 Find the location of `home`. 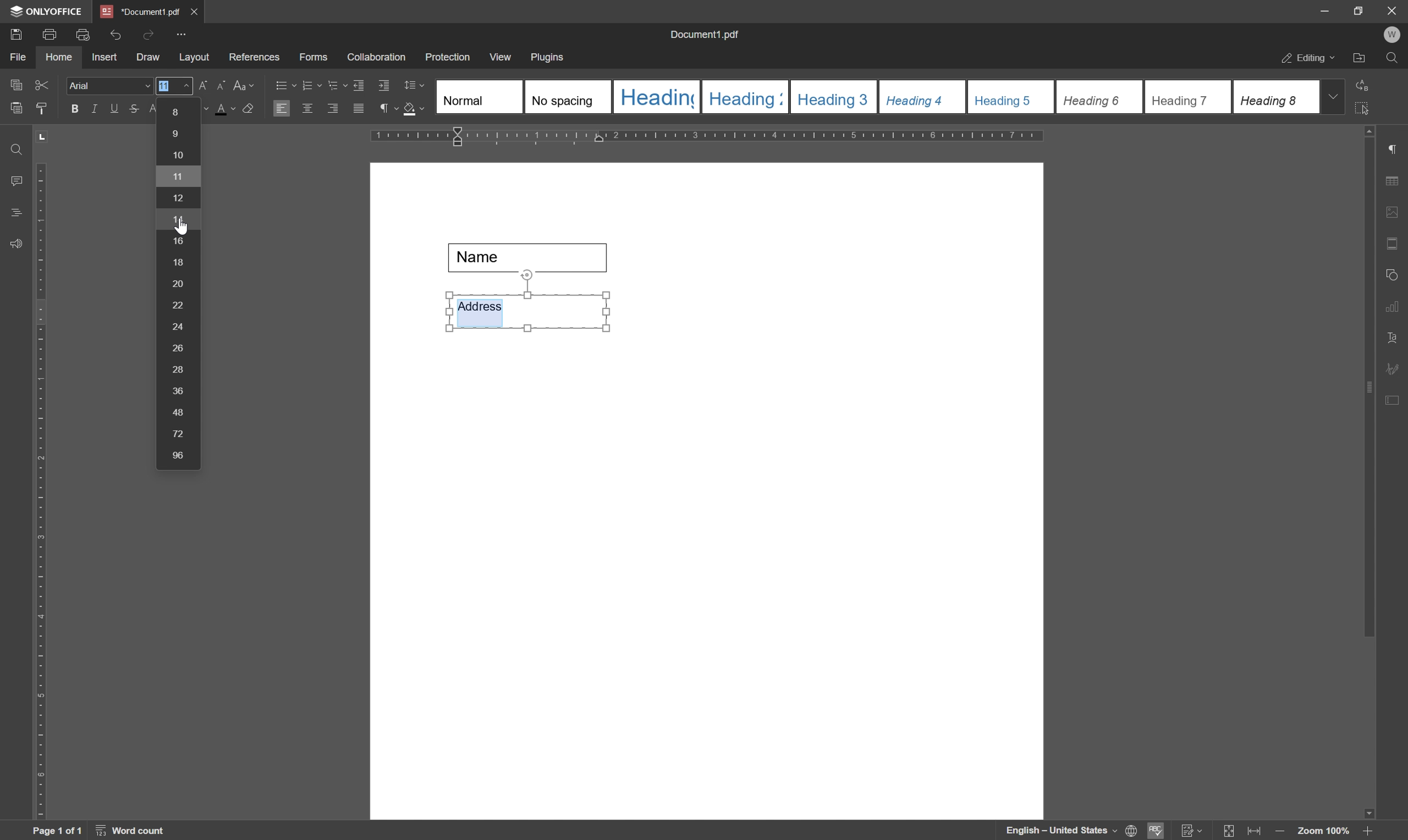

home is located at coordinates (59, 57).